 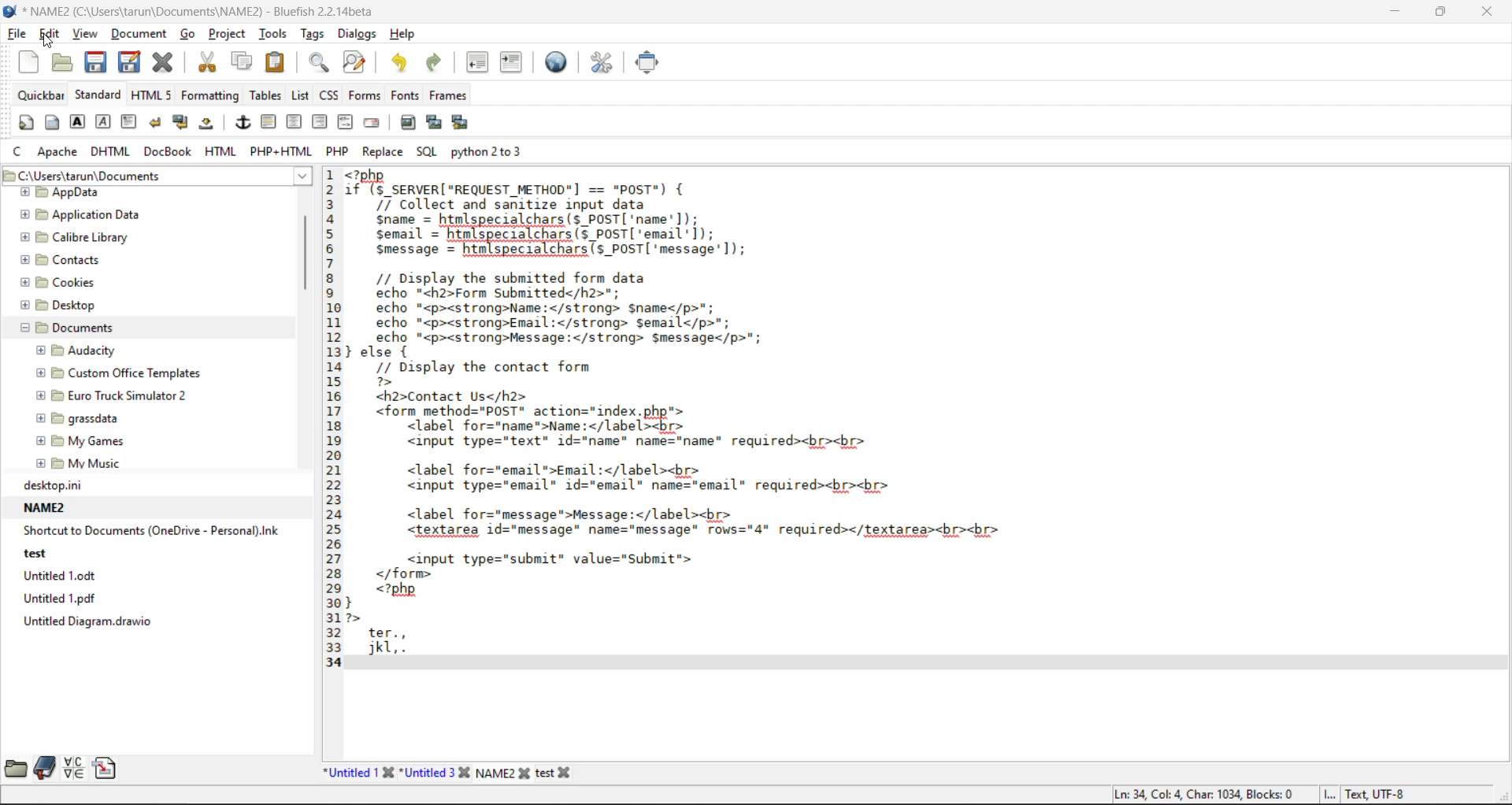 What do you see at coordinates (61, 150) in the screenshot?
I see `apache` at bounding box center [61, 150].